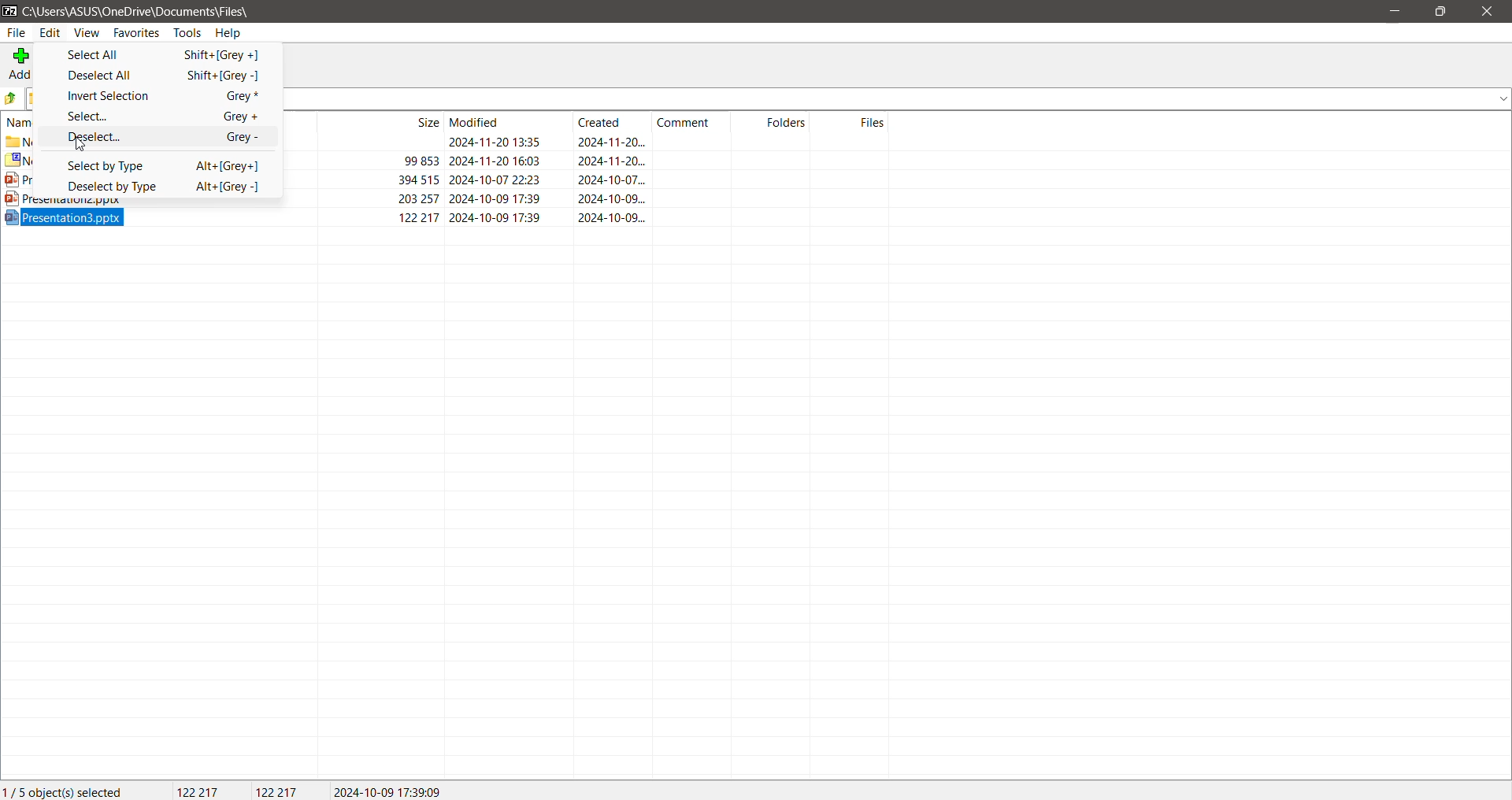  Describe the element at coordinates (1486, 13) in the screenshot. I see `Close` at that location.